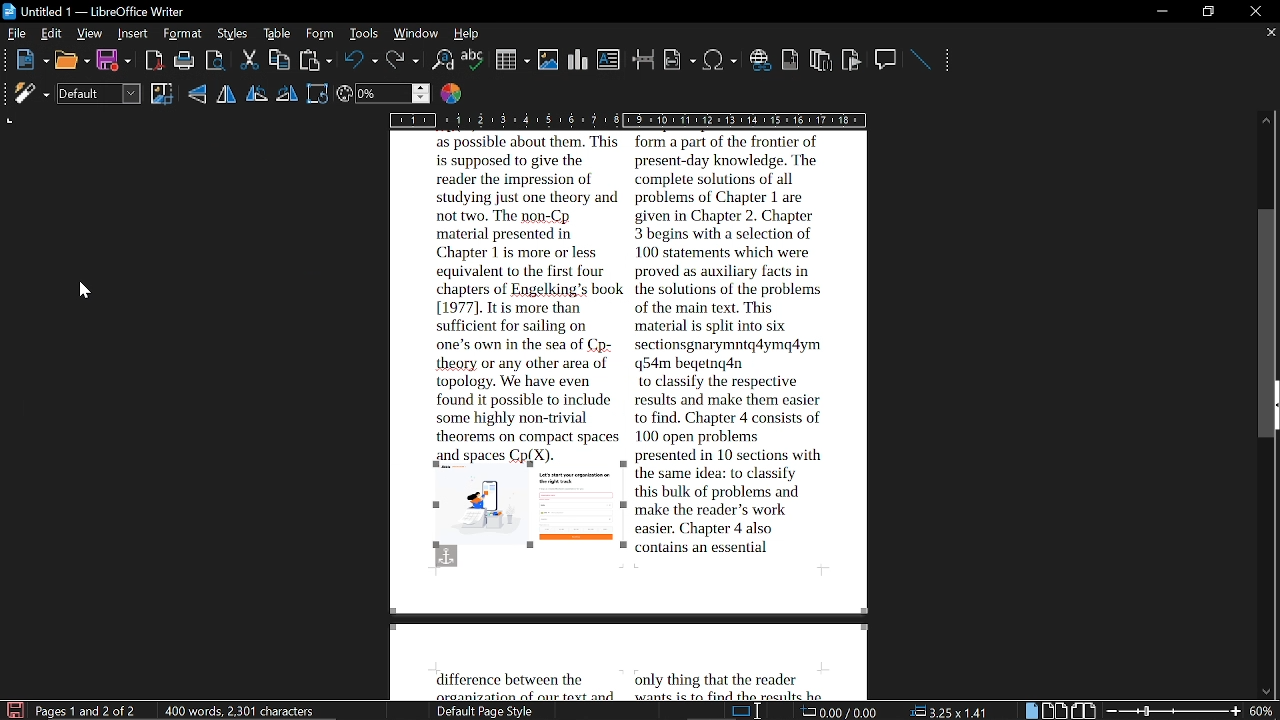 The height and width of the screenshot is (720, 1280). I want to click on flip vertically, so click(198, 93).